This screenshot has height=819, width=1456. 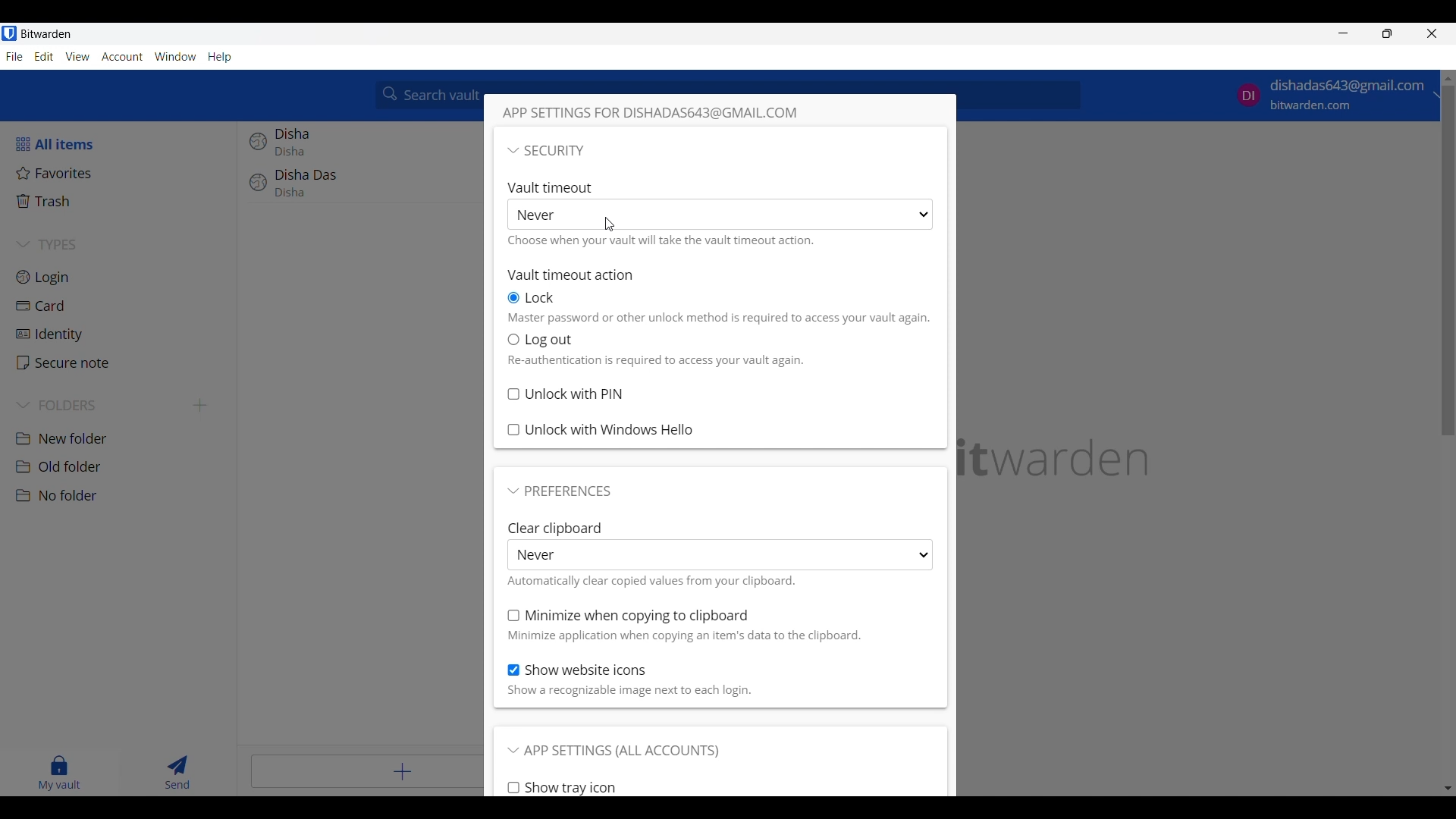 I want to click on cursor, so click(x=610, y=224).